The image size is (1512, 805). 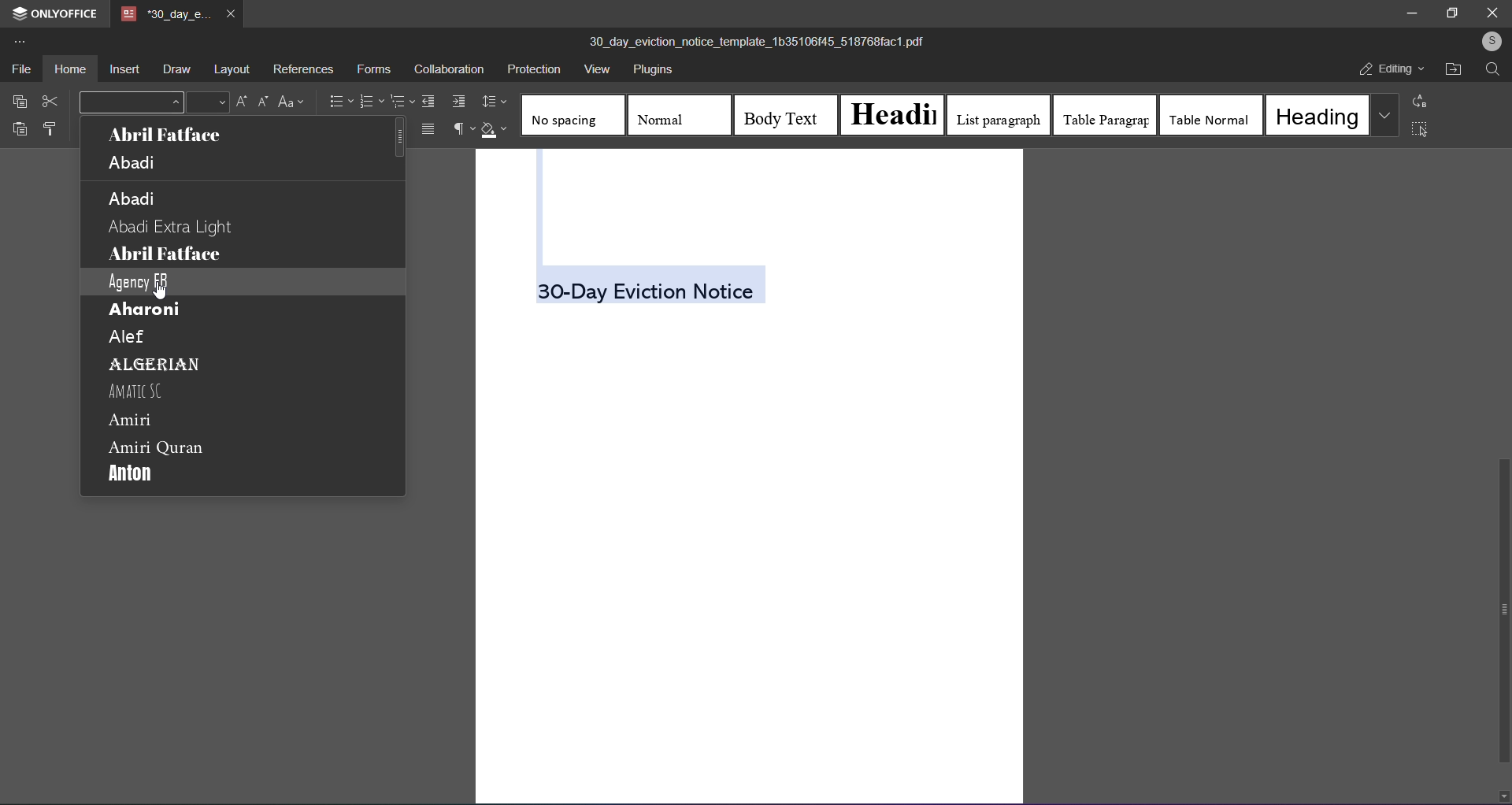 I want to click on maximize, so click(x=1451, y=15).